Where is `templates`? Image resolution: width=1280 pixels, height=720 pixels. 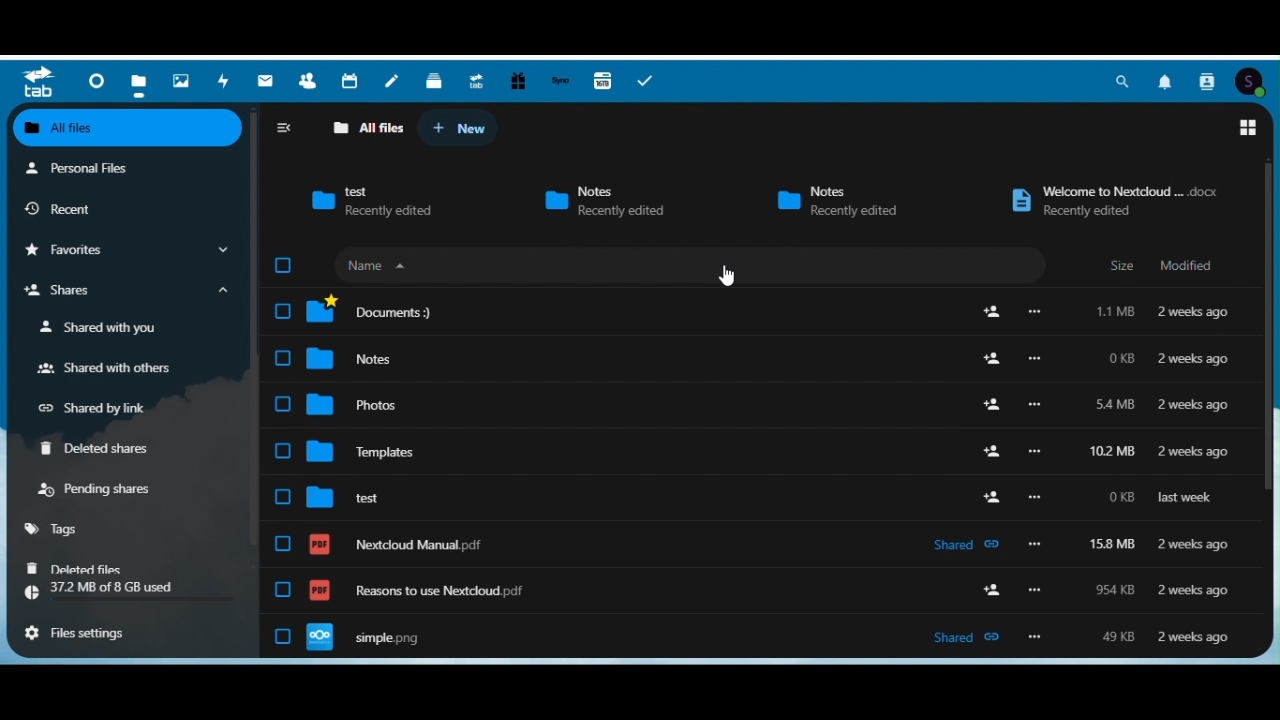
templates is located at coordinates (761, 456).